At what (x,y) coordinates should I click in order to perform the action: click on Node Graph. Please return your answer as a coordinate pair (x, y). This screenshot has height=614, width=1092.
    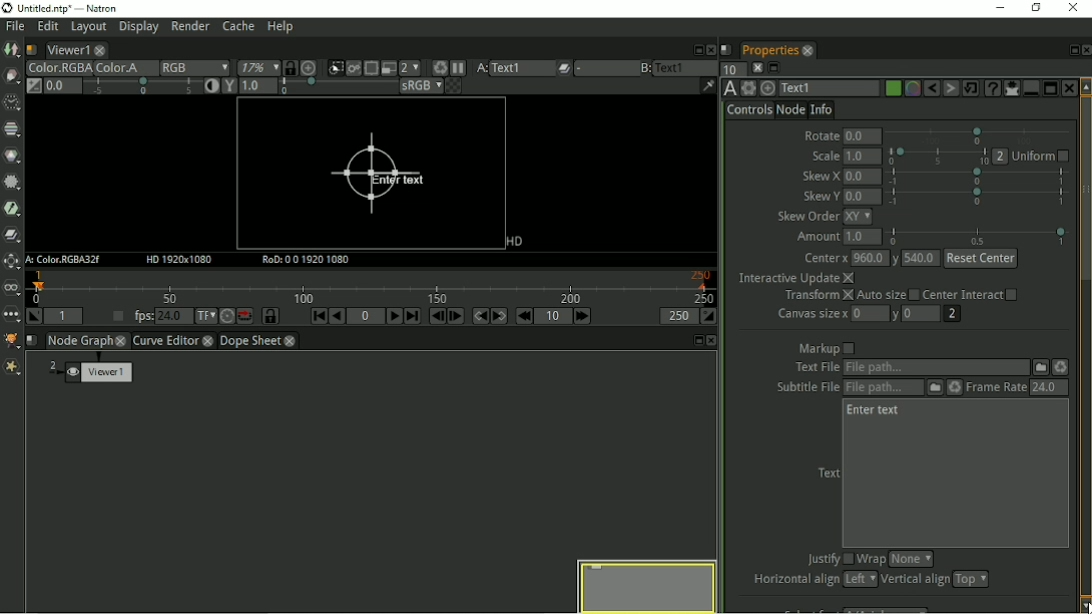
    Looking at the image, I should click on (80, 341).